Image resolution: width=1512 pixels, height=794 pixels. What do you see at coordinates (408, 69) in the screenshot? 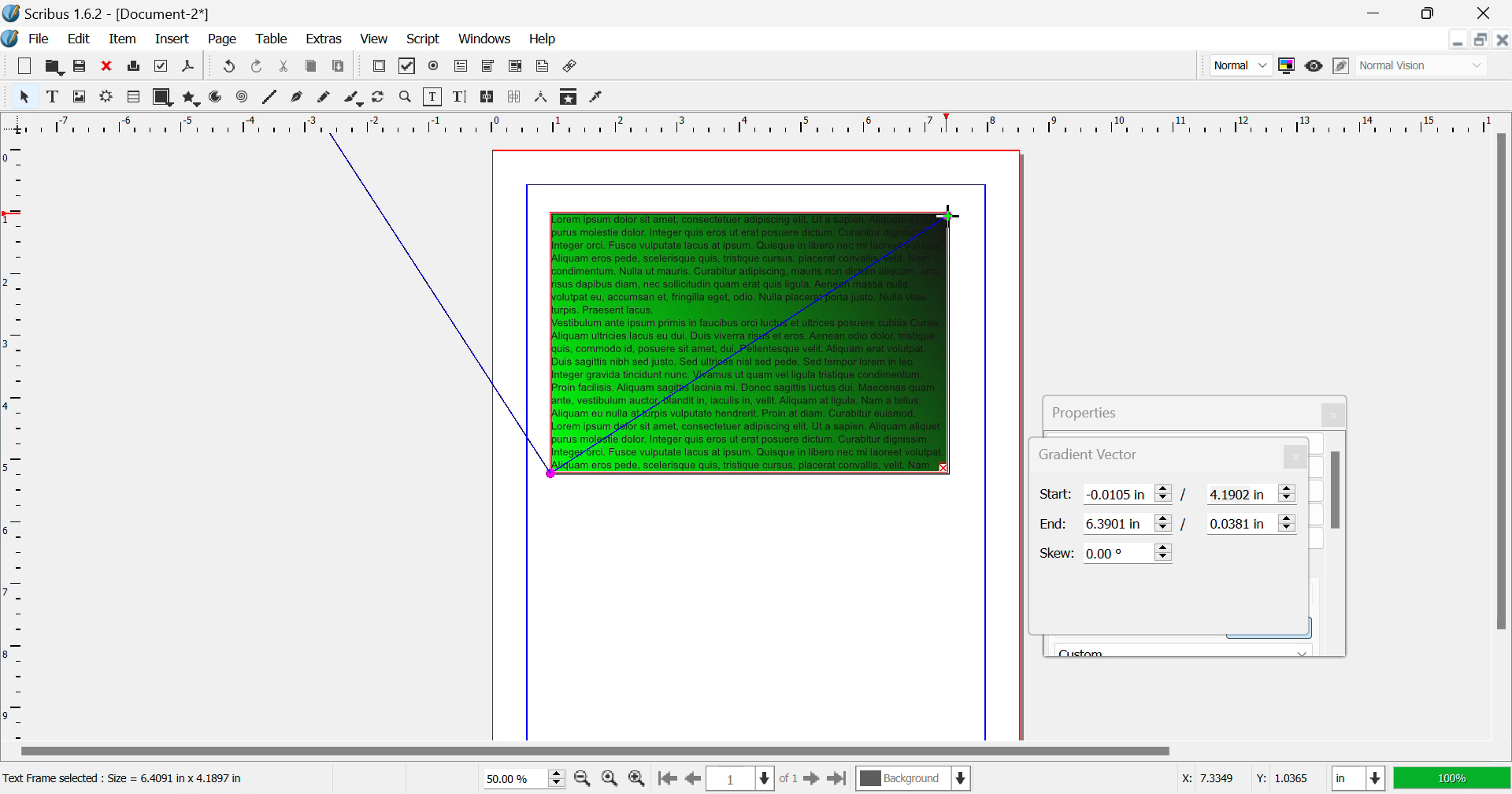
I see `Pdf Checkbox` at bounding box center [408, 69].